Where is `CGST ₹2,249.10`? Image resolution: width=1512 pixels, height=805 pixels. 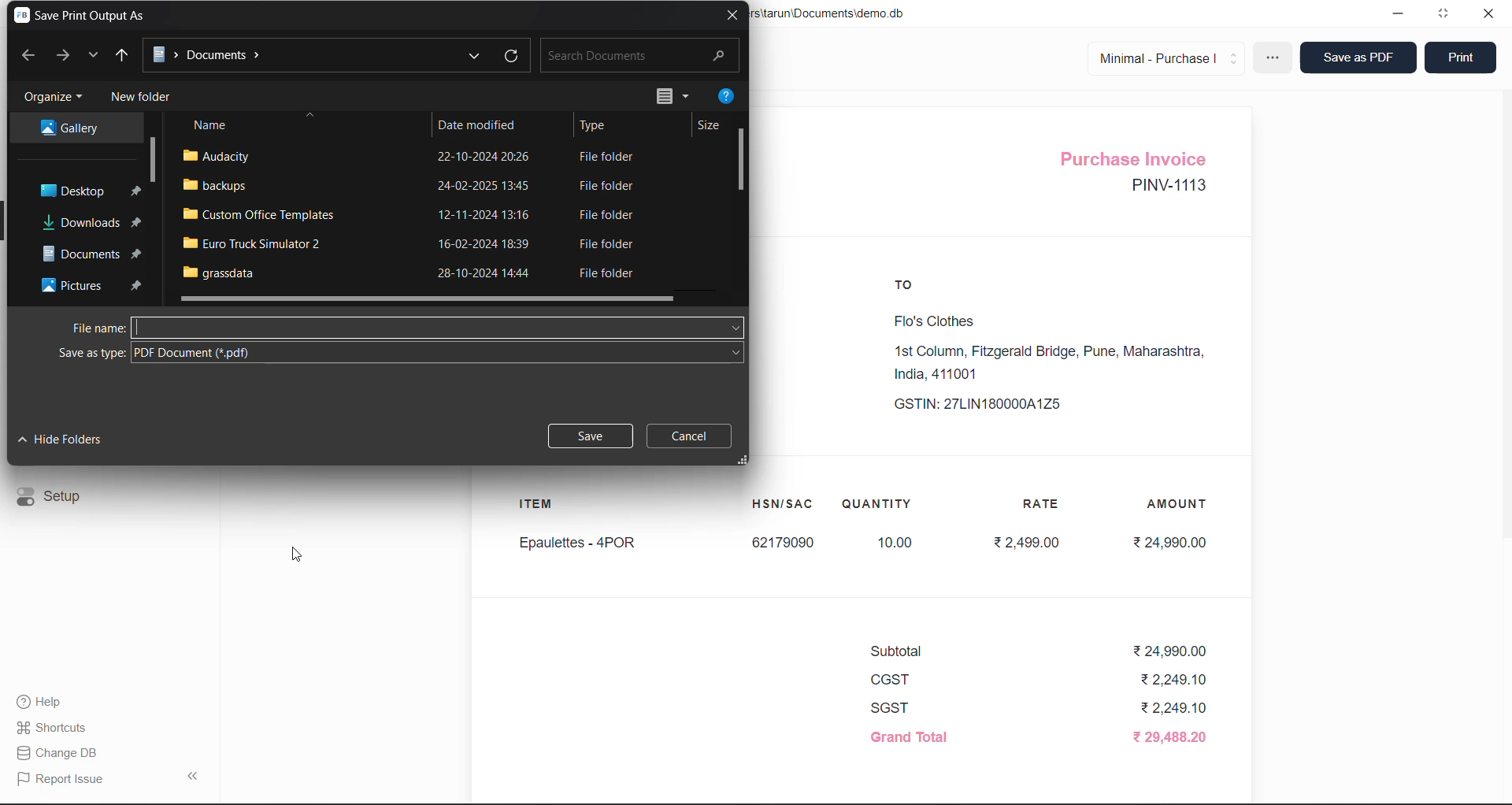 CGST ₹2,249.10 is located at coordinates (1040, 681).